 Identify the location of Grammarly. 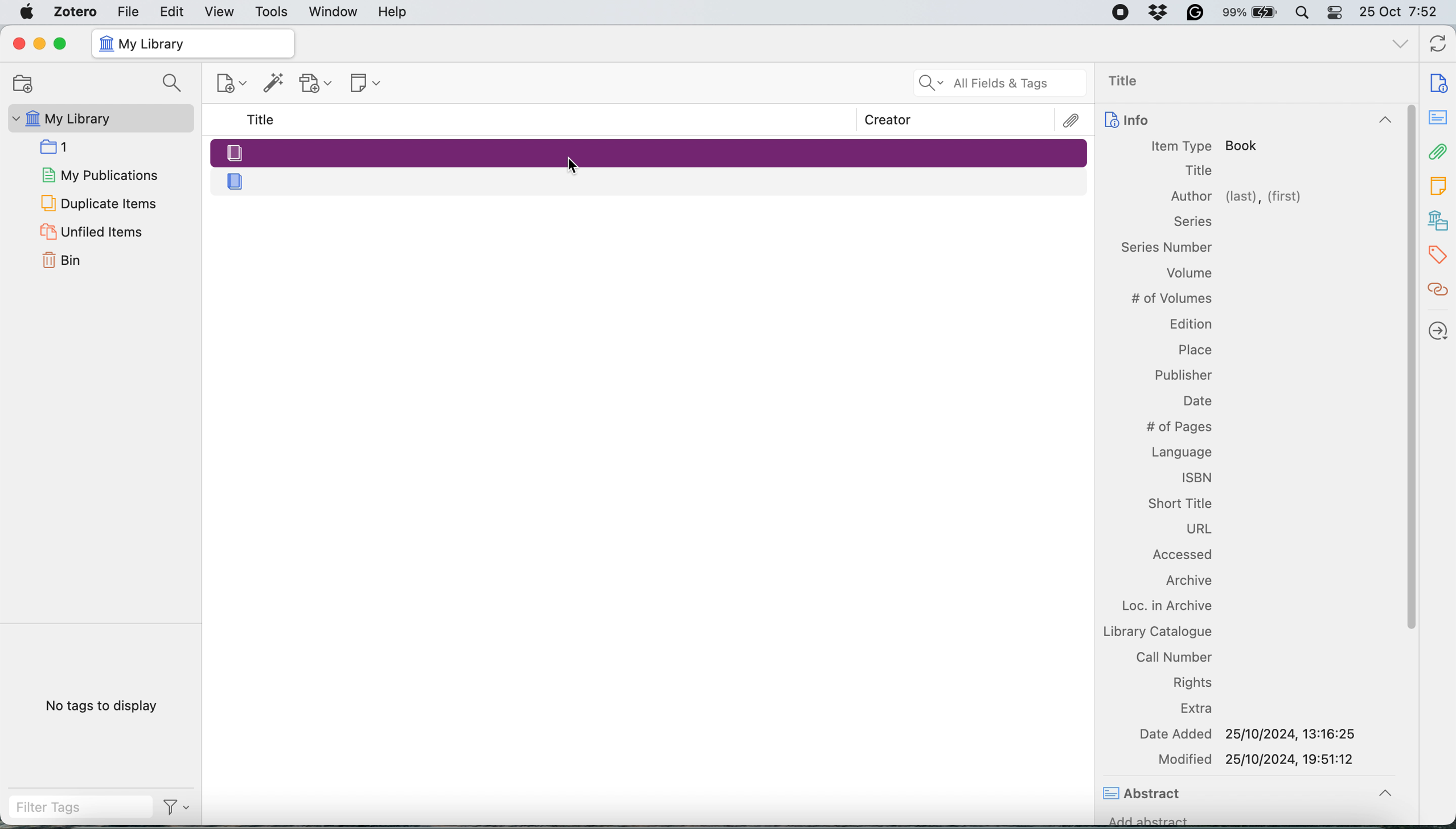
(1196, 12).